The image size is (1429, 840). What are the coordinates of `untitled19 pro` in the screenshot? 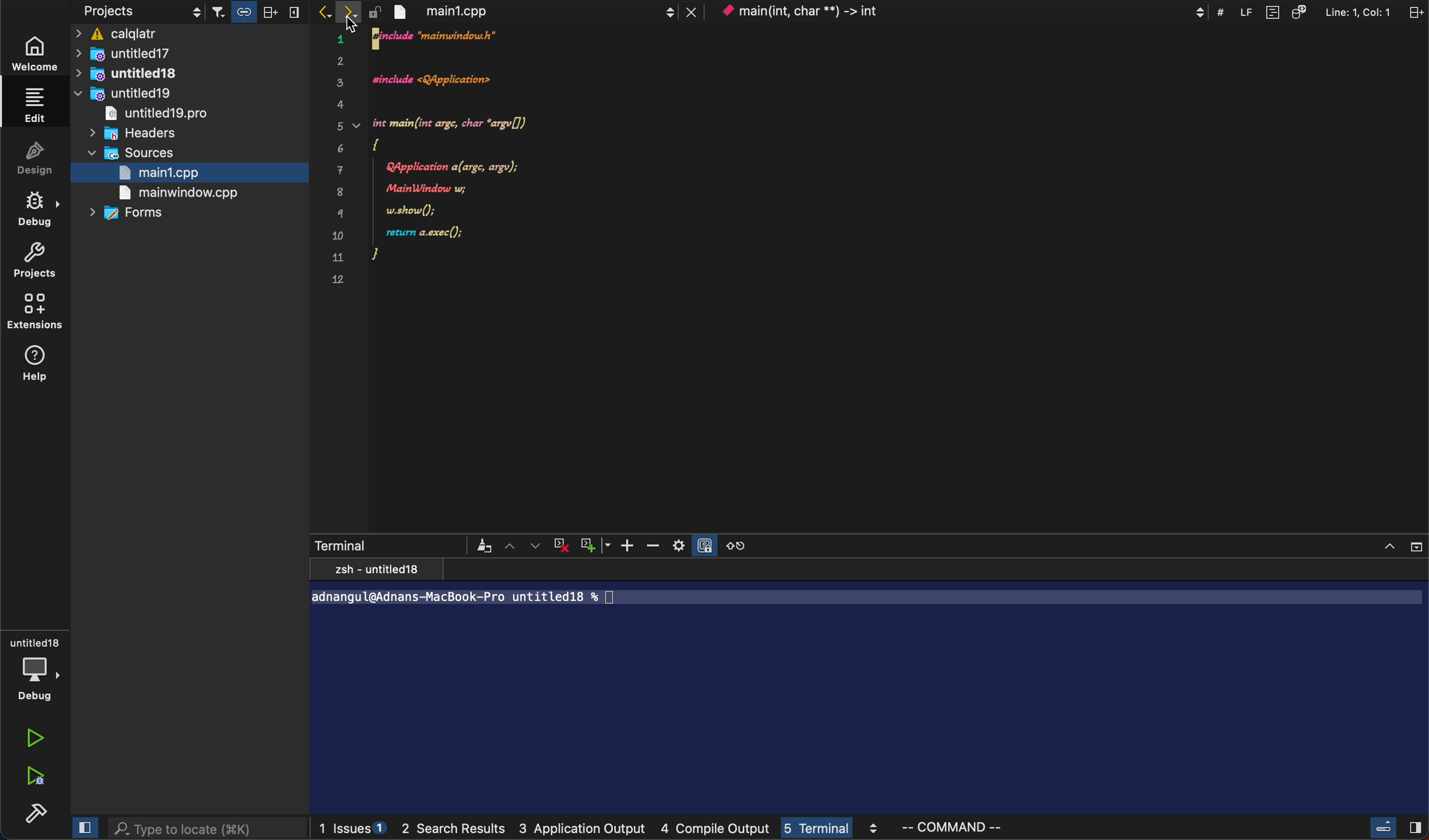 It's located at (171, 114).